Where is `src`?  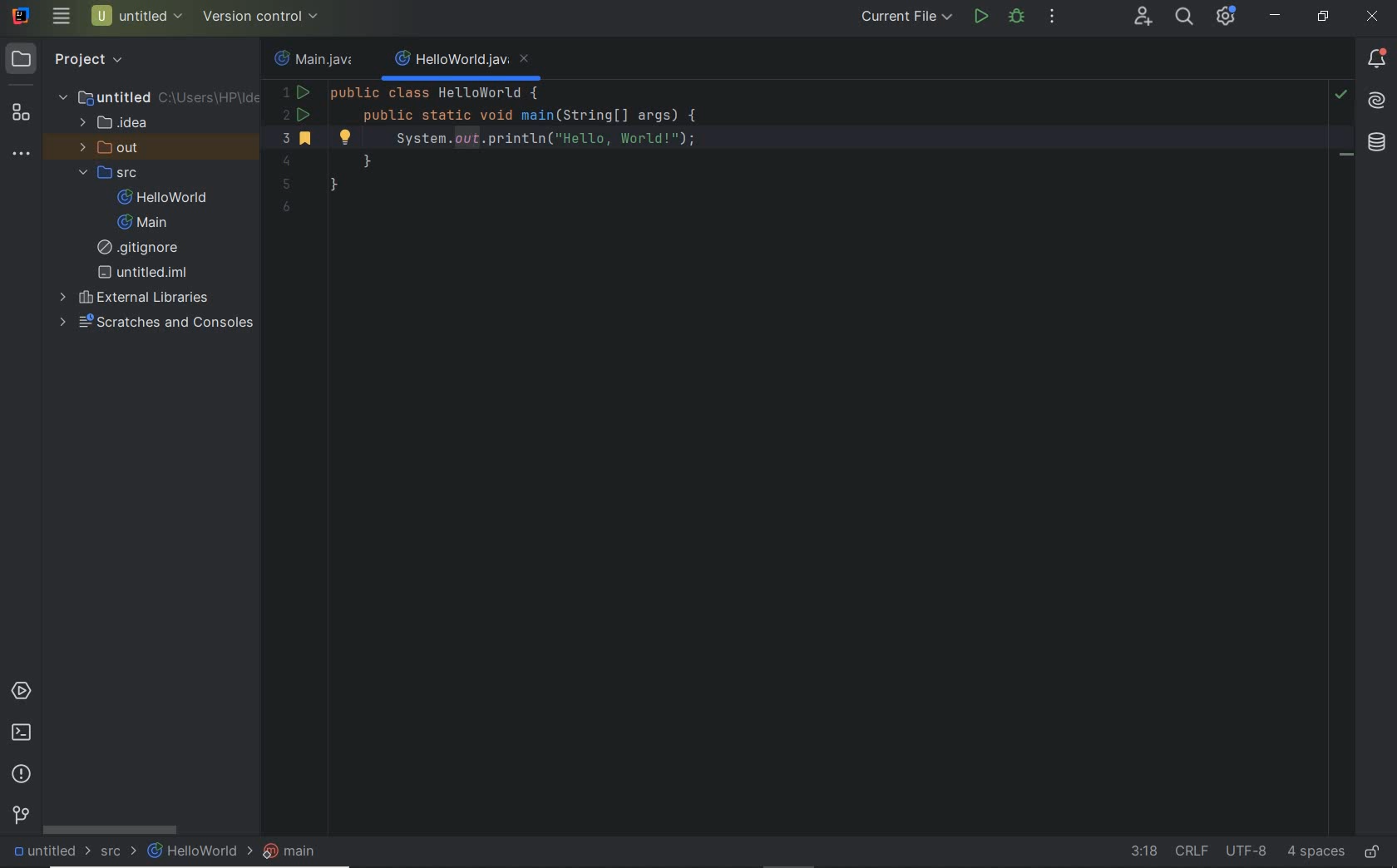 src is located at coordinates (108, 174).